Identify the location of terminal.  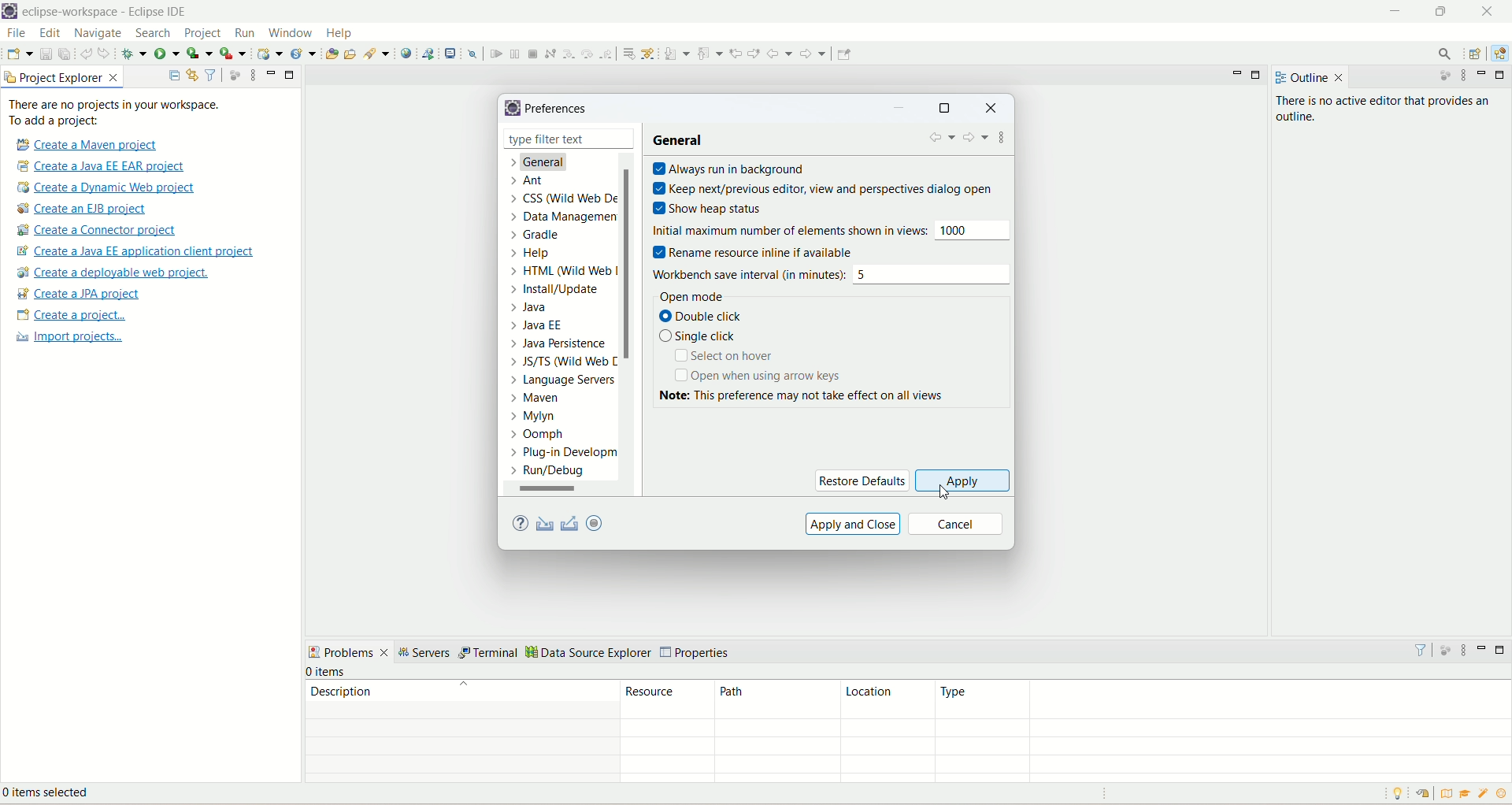
(490, 654).